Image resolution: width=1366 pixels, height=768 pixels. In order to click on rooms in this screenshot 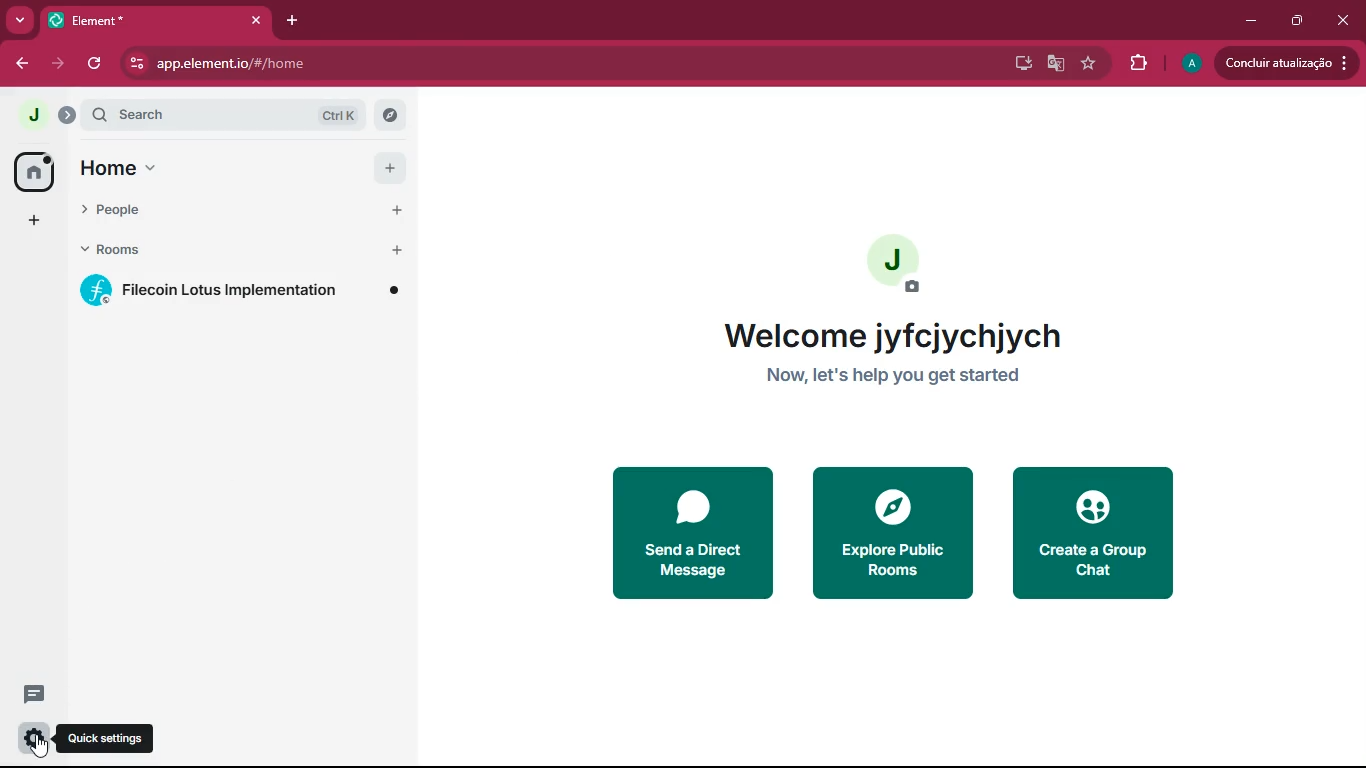, I will do `click(237, 252)`.